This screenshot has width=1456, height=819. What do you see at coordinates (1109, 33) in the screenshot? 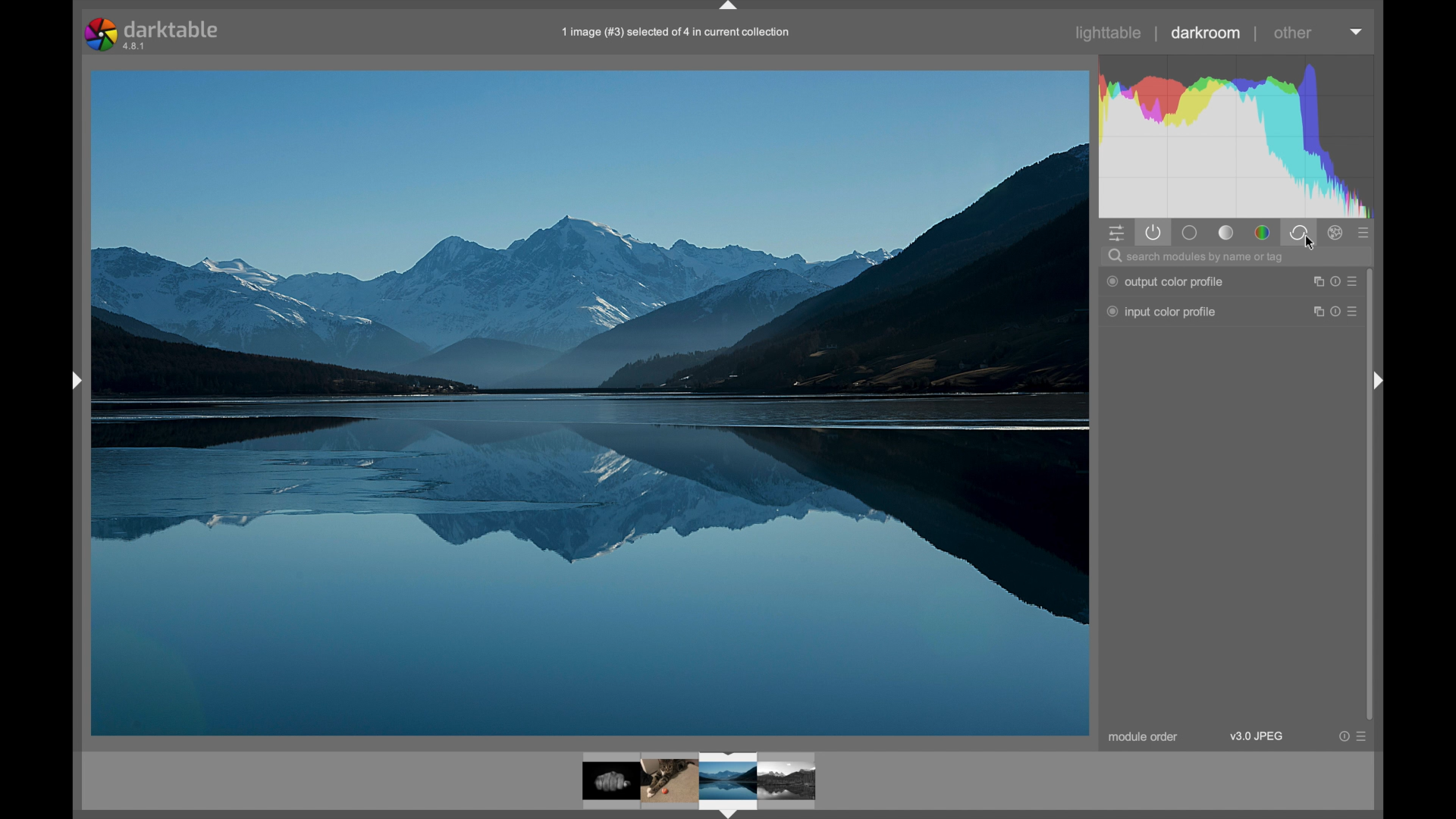
I see `lighttable` at bounding box center [1109, 33].